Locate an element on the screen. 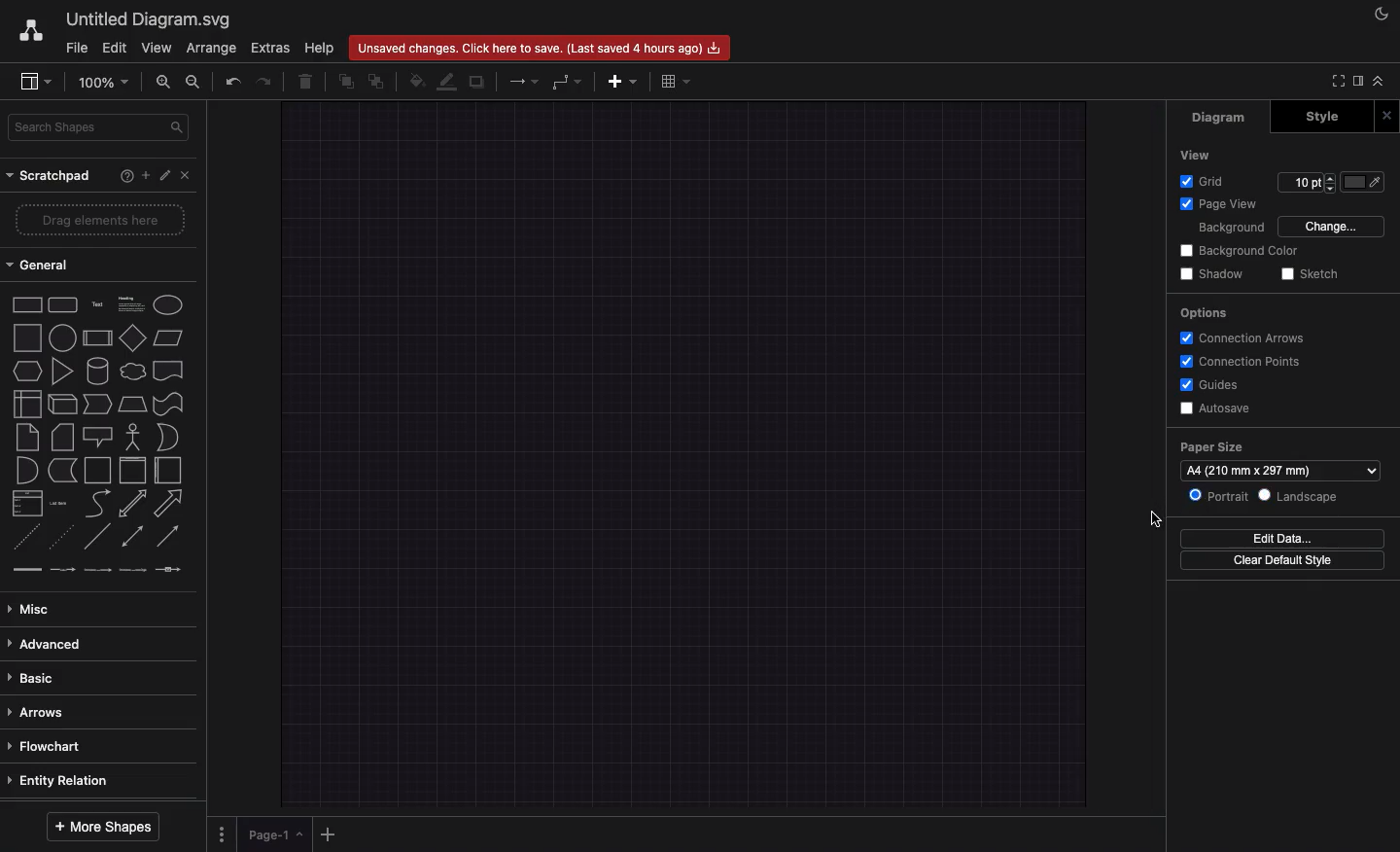  Fill color is located at coordinates (1367, 188).